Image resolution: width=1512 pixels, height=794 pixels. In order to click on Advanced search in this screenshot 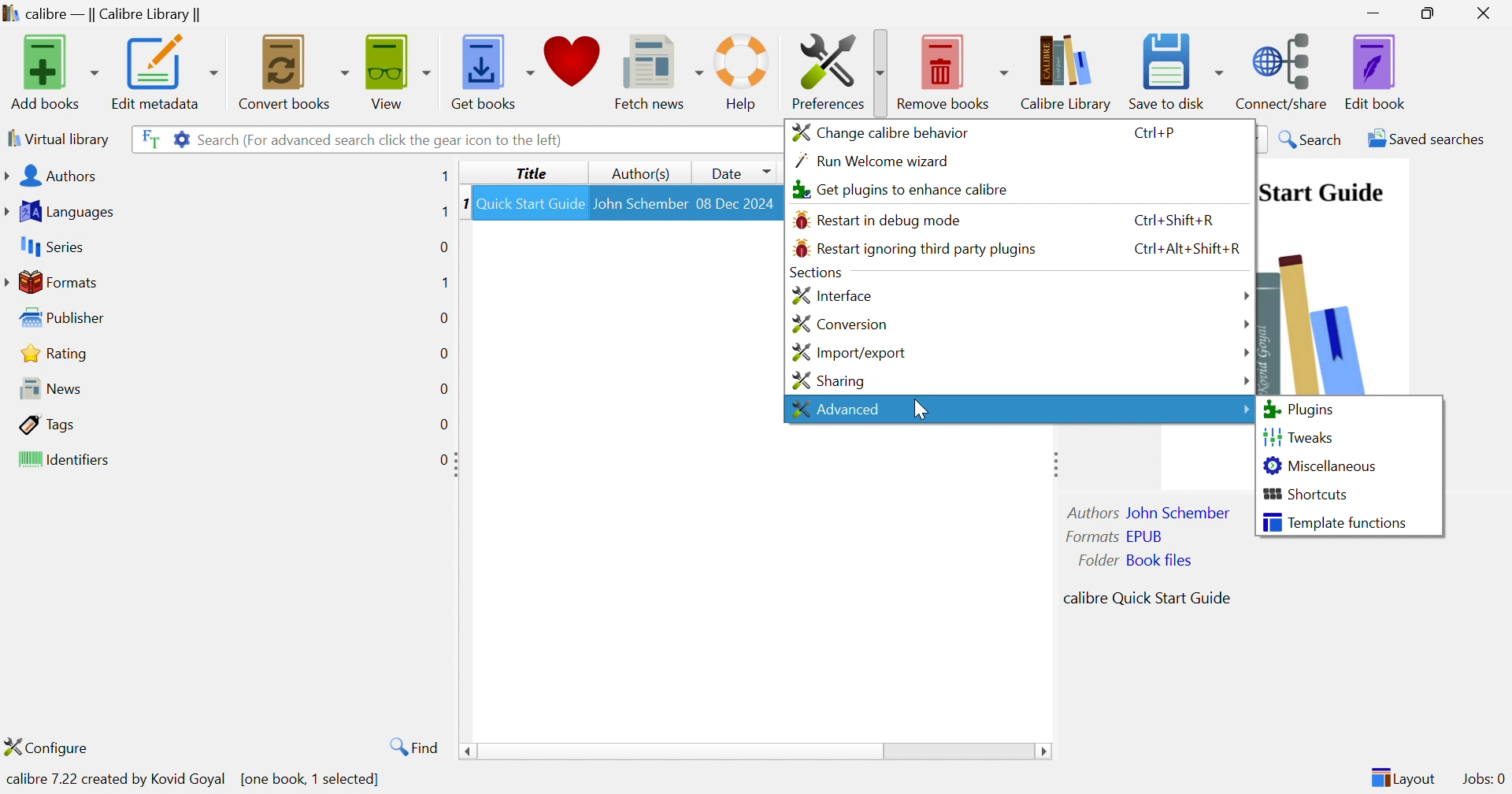, I will do `click(180, 137)`.